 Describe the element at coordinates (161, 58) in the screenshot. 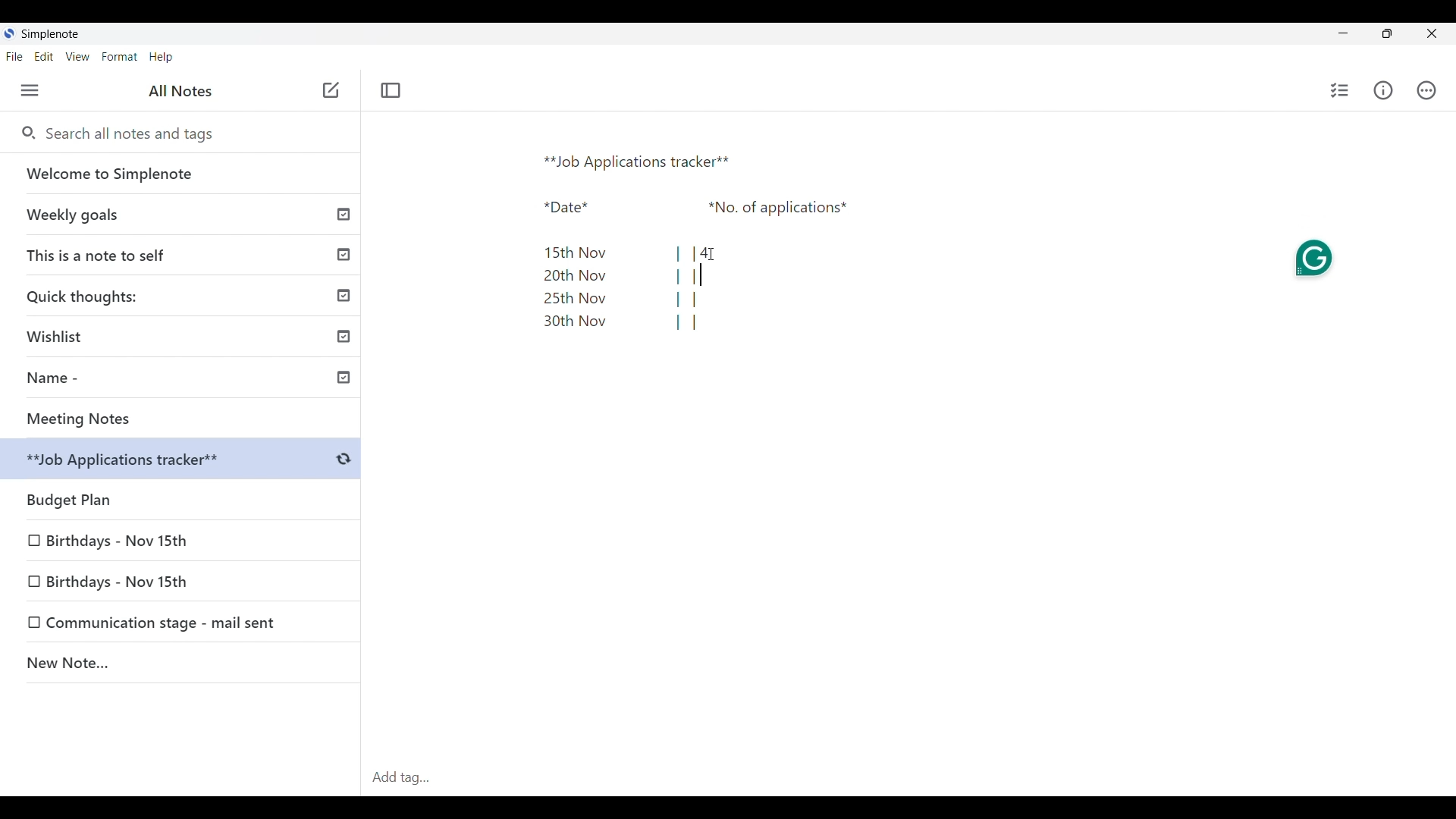

I see `Help` at that location.